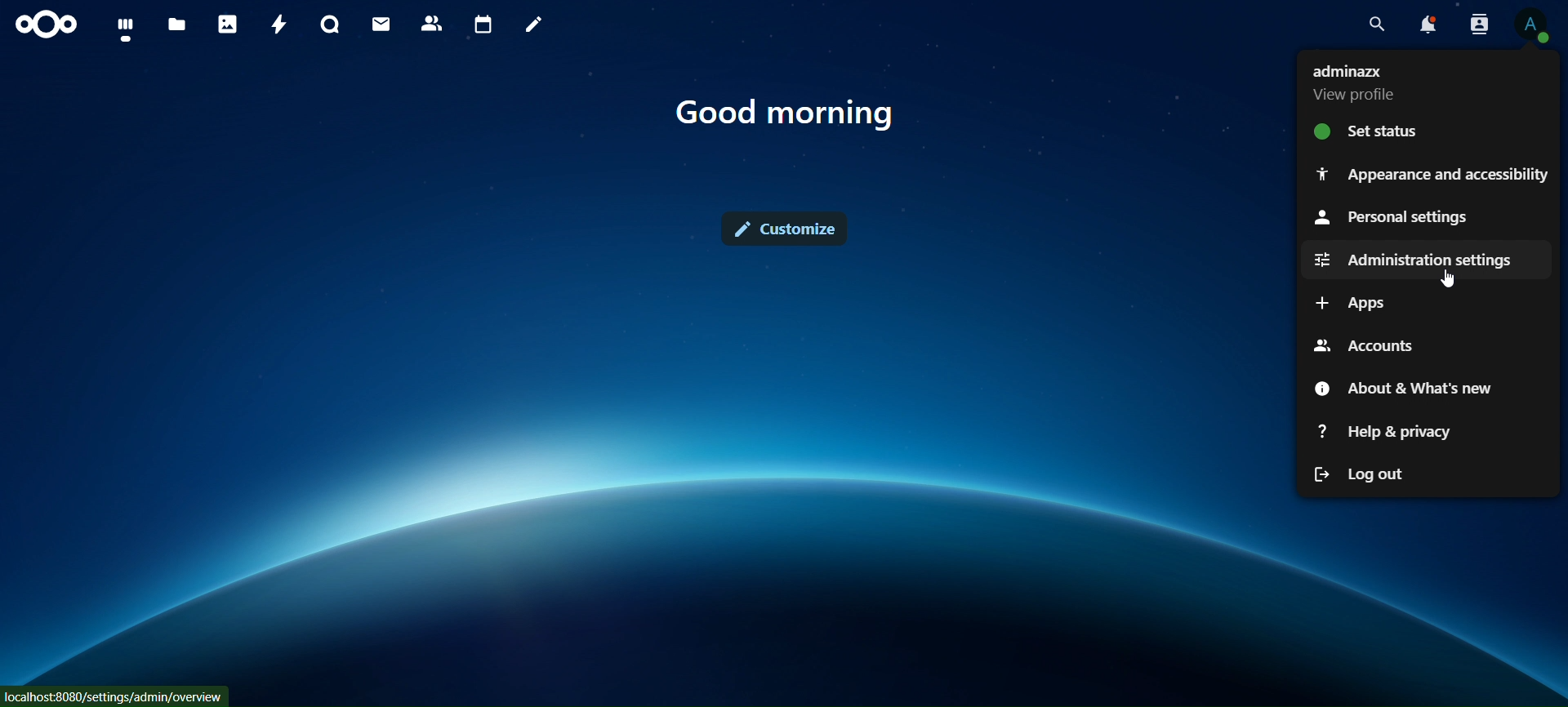 Image resolution: width=1568 pixels, height=707 pixels. Describe the element at coordinates (1372, 346) in the screenshot. I see `accounts` at that location.